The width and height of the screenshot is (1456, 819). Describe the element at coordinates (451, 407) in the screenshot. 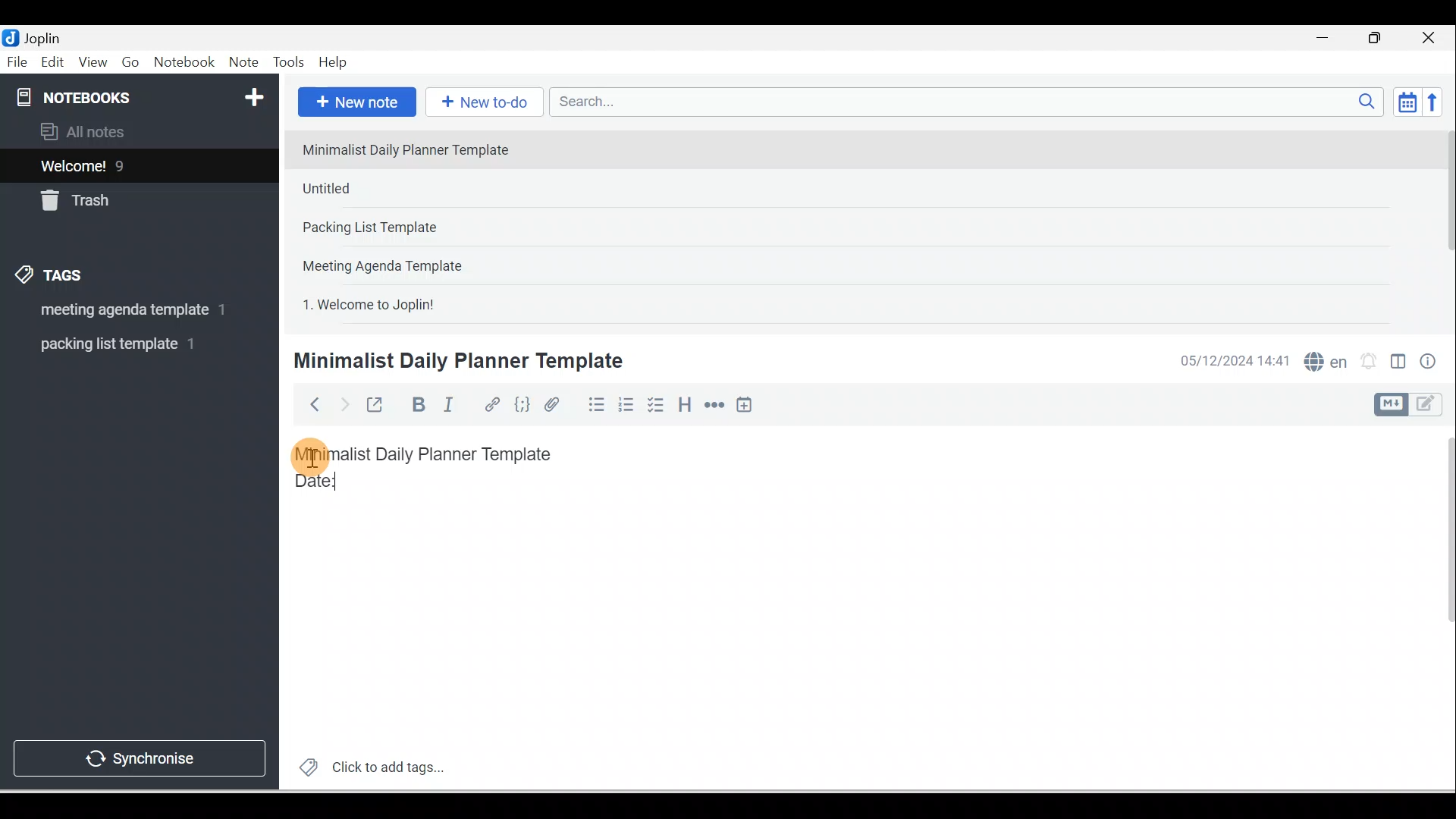

I see `Italic` at that location.